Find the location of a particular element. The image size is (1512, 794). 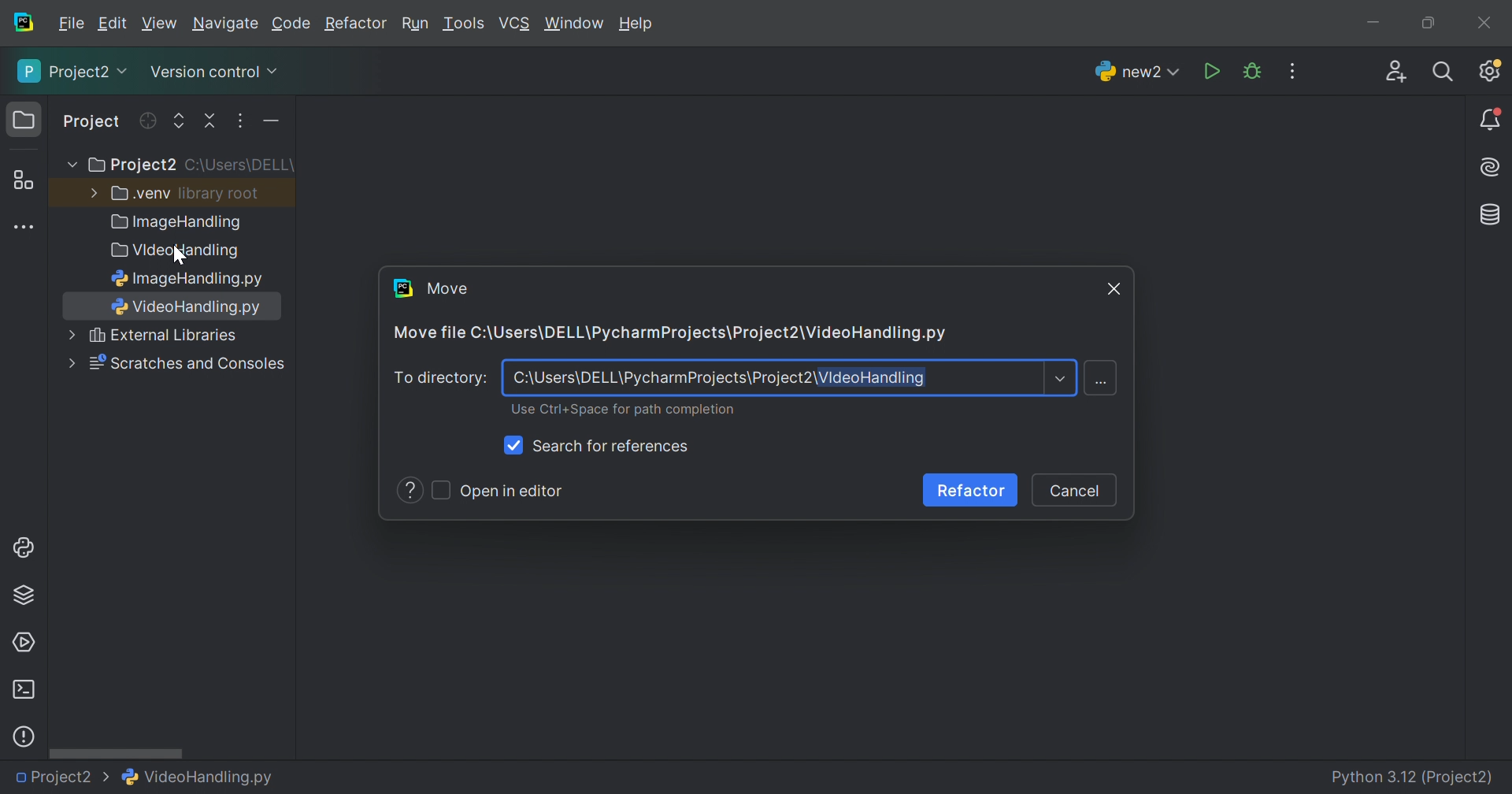

Project2 is located at coordinates (62, 777).